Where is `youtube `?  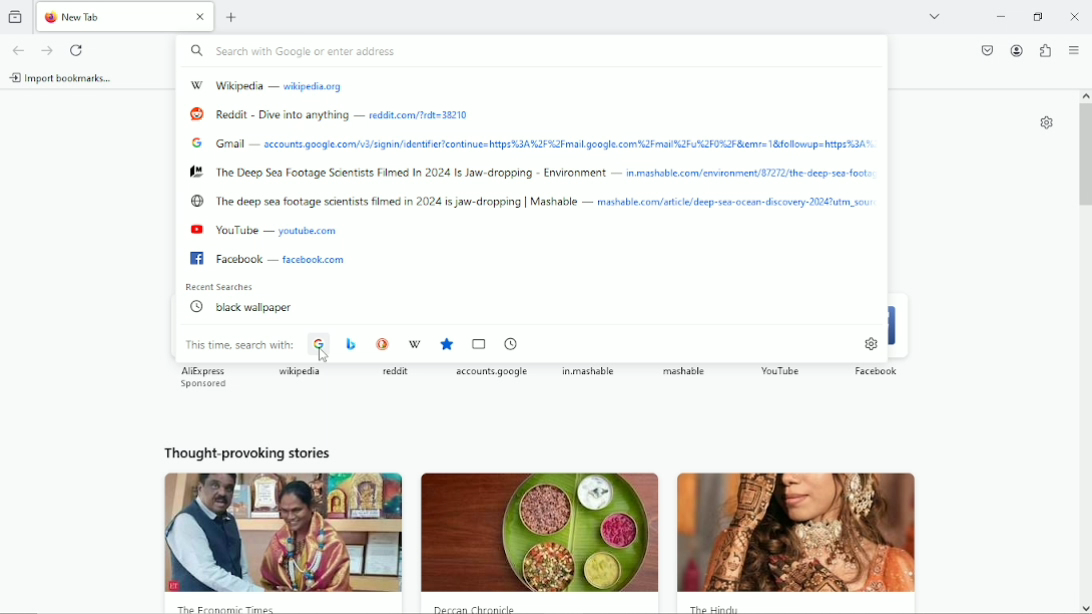 youtube  is located at coordinates (242, 230).